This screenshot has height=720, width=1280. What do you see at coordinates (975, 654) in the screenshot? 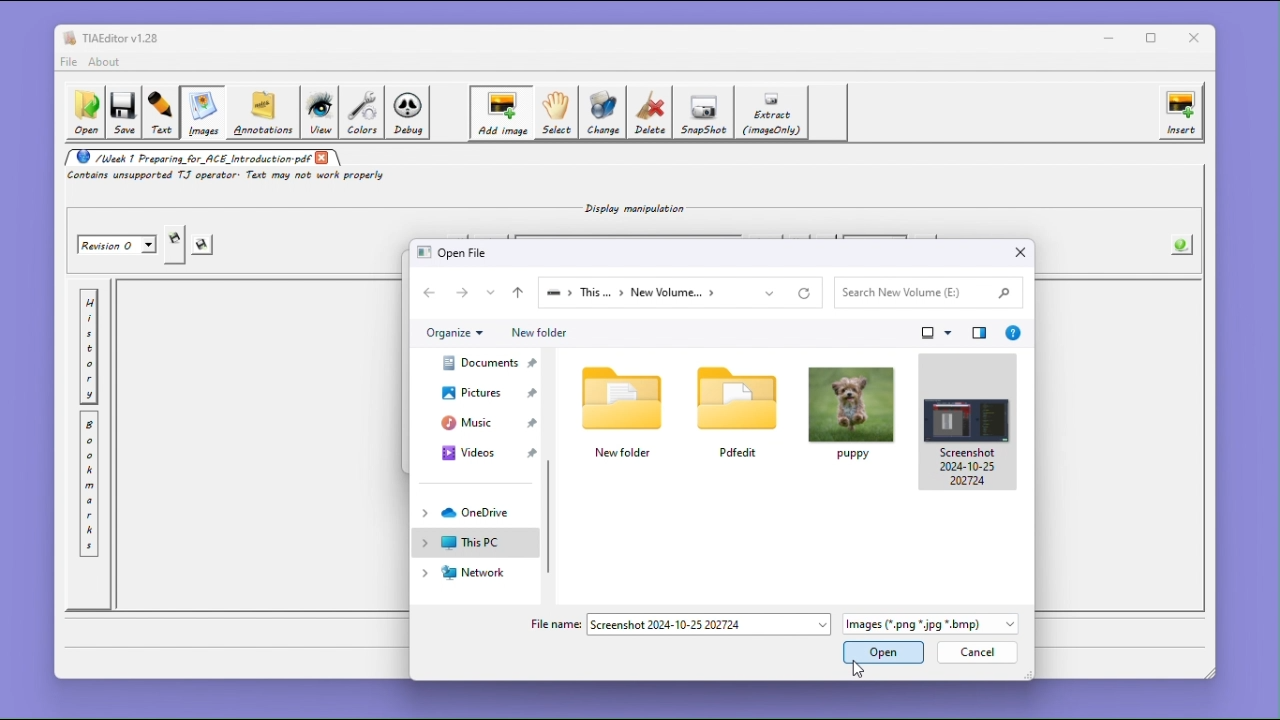
I see `cancel` at bounding box center [975, 654].